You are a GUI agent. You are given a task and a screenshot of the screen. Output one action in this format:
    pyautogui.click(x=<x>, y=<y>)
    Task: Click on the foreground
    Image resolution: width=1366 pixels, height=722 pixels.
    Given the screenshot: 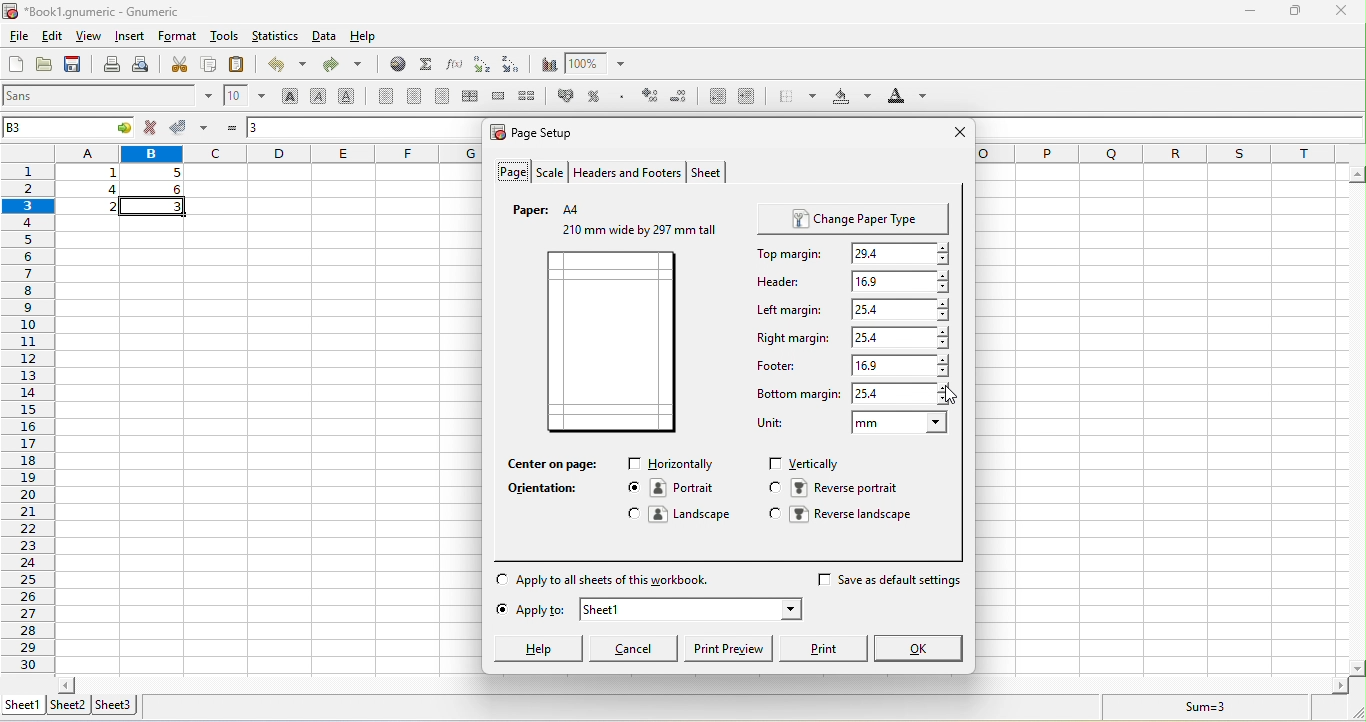 What is the action you would take?
    pyautogui.click(x=907, y=96)
    